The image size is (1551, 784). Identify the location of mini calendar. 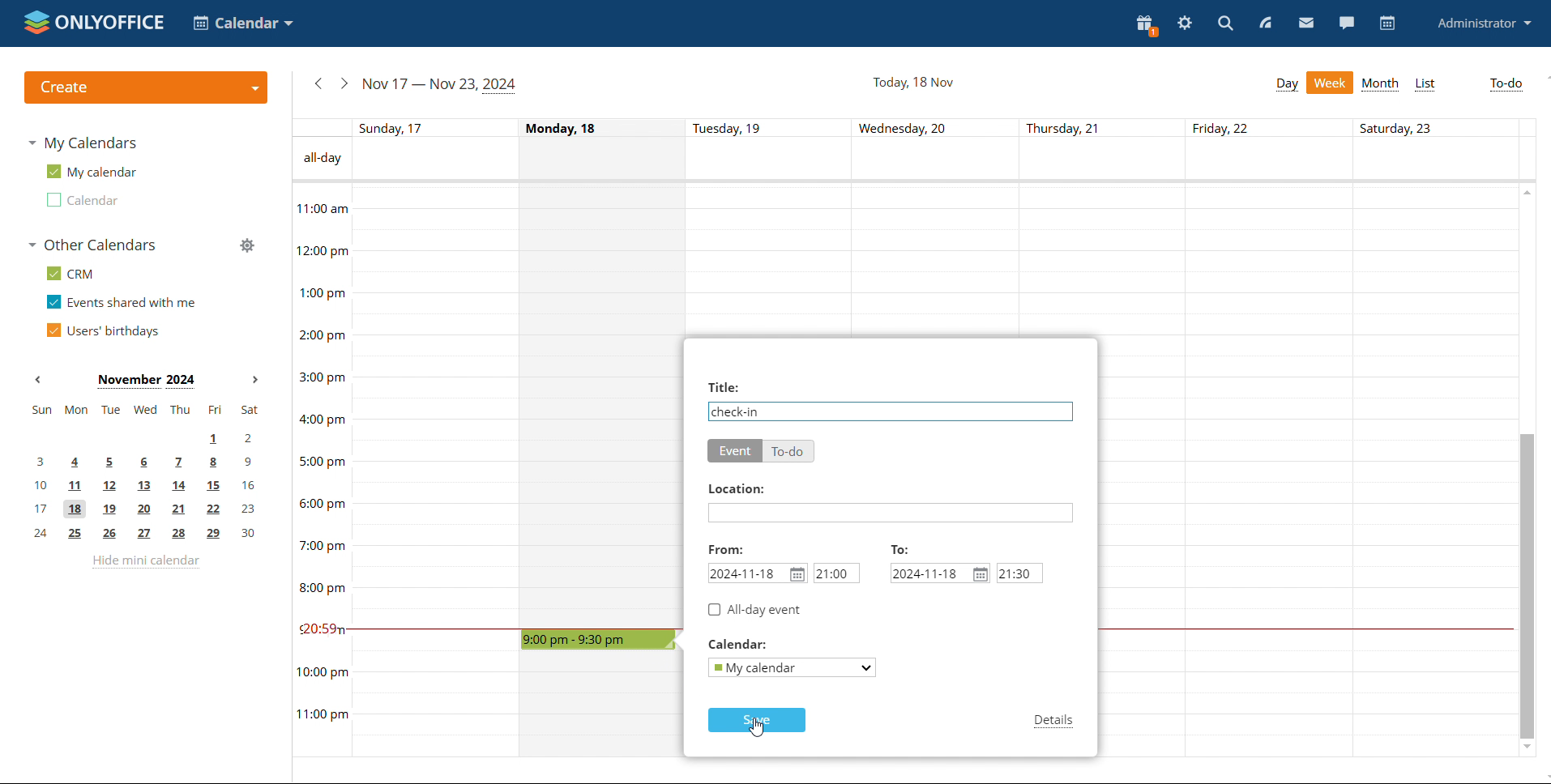
(145, 472).